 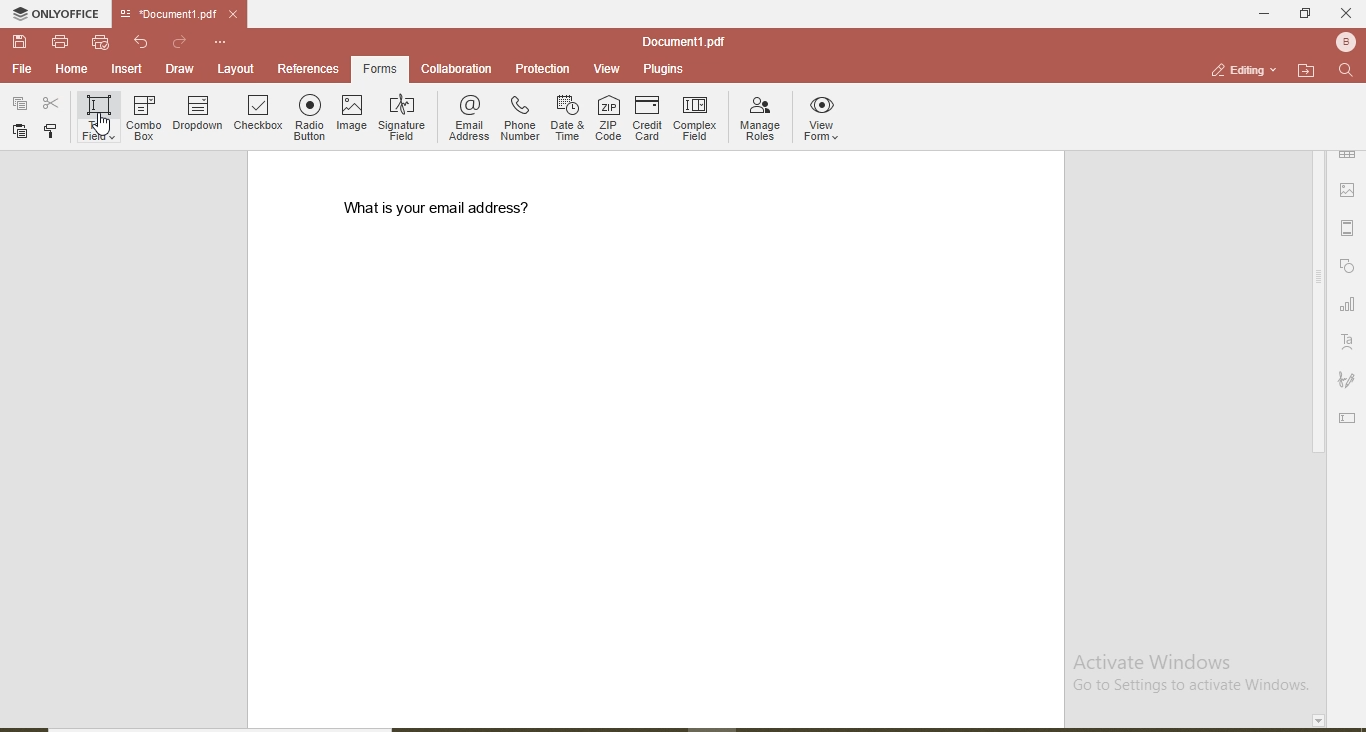 I want to click on print, so click(x=60, y=40).